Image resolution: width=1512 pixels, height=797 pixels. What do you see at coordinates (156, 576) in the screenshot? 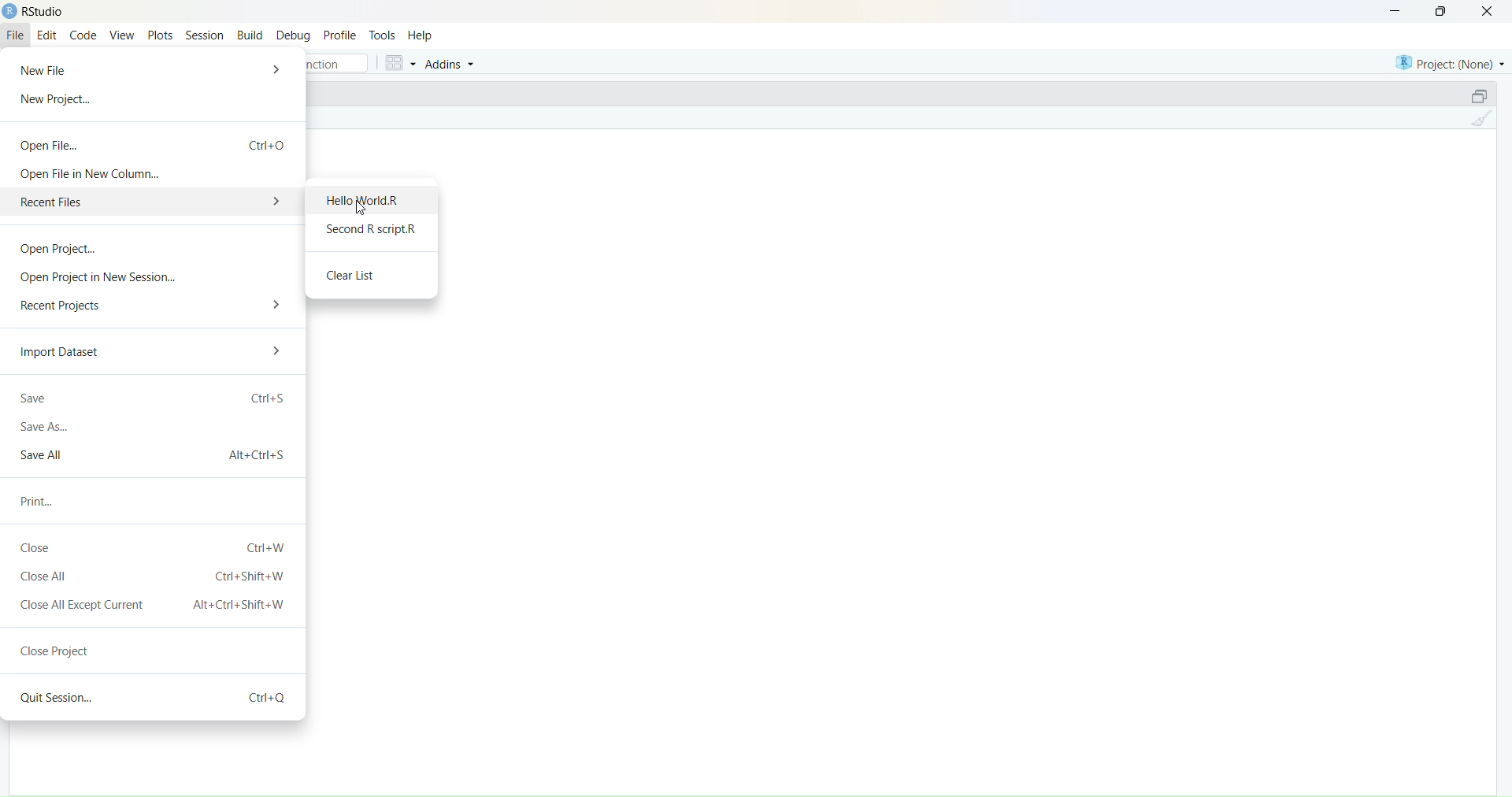
I see `Close All Ctrl+Shift+W` at bounding box center [156, 576].